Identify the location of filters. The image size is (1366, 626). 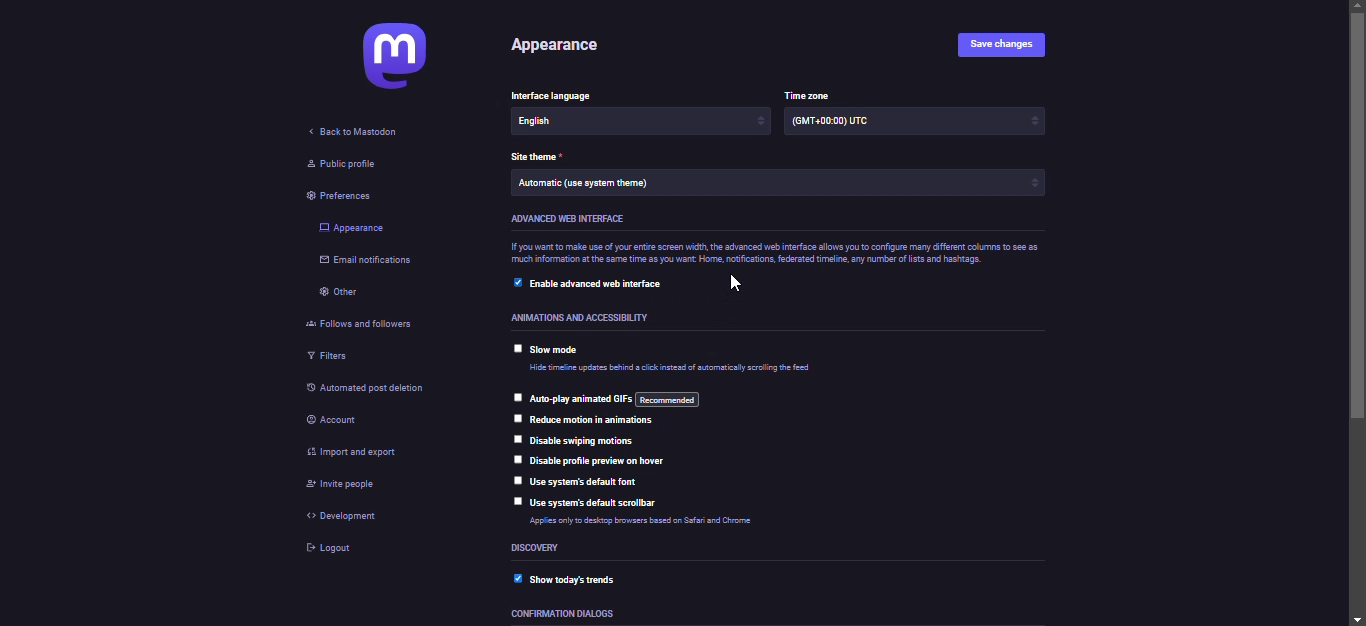
(328, 359).